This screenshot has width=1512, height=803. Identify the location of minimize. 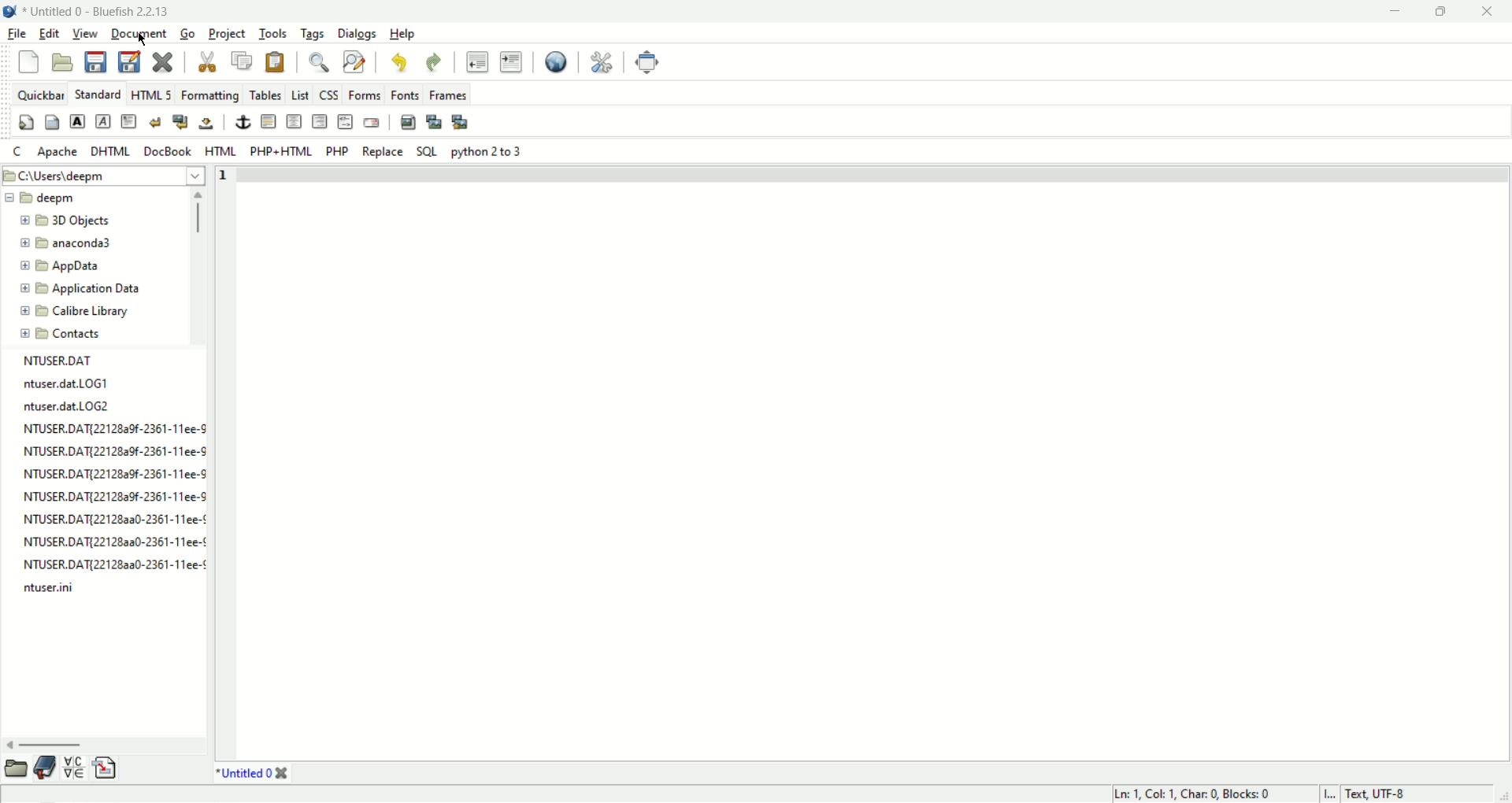
(1395, 13).